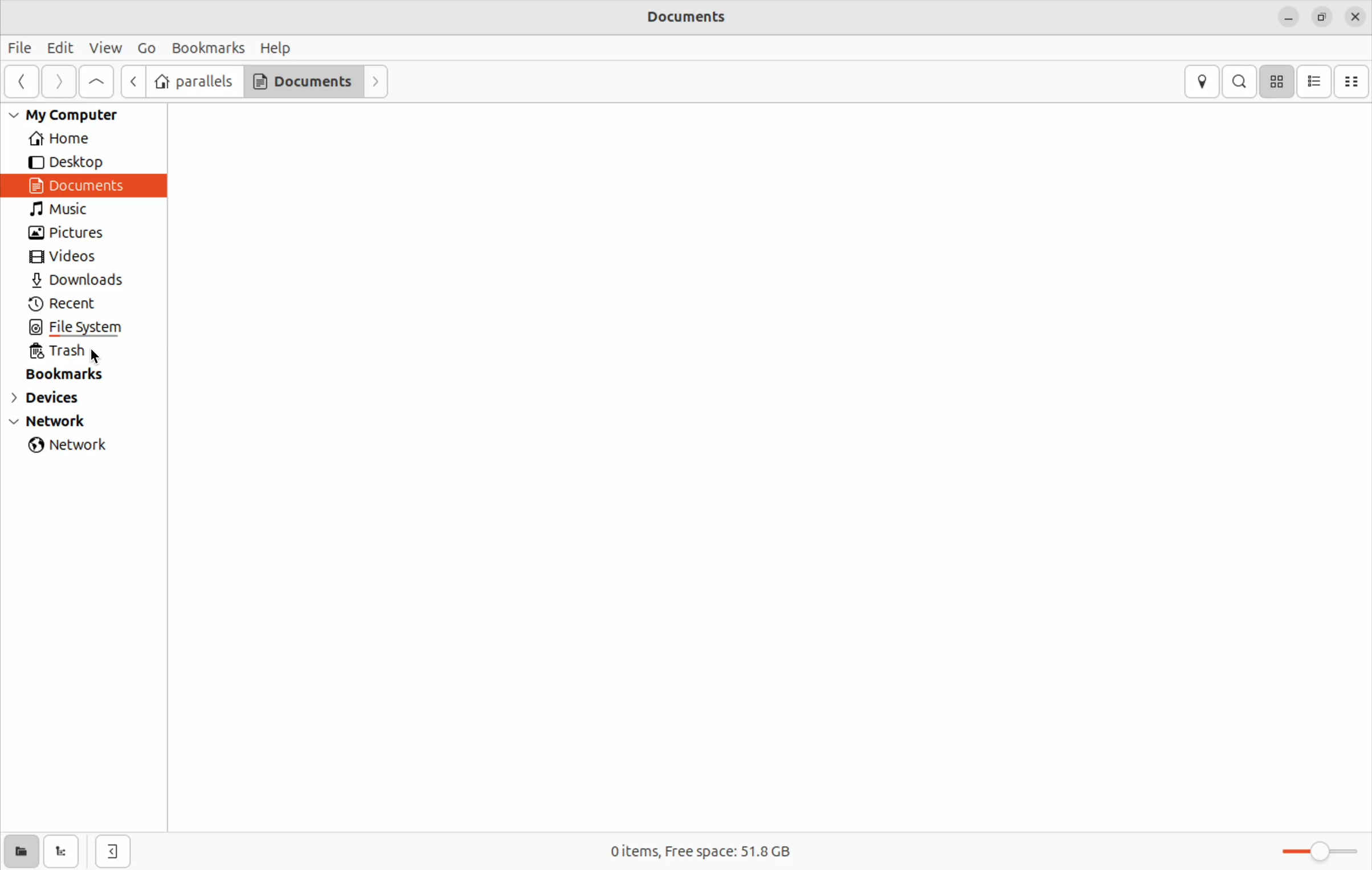  I want to click on show places, so click(21, 851).